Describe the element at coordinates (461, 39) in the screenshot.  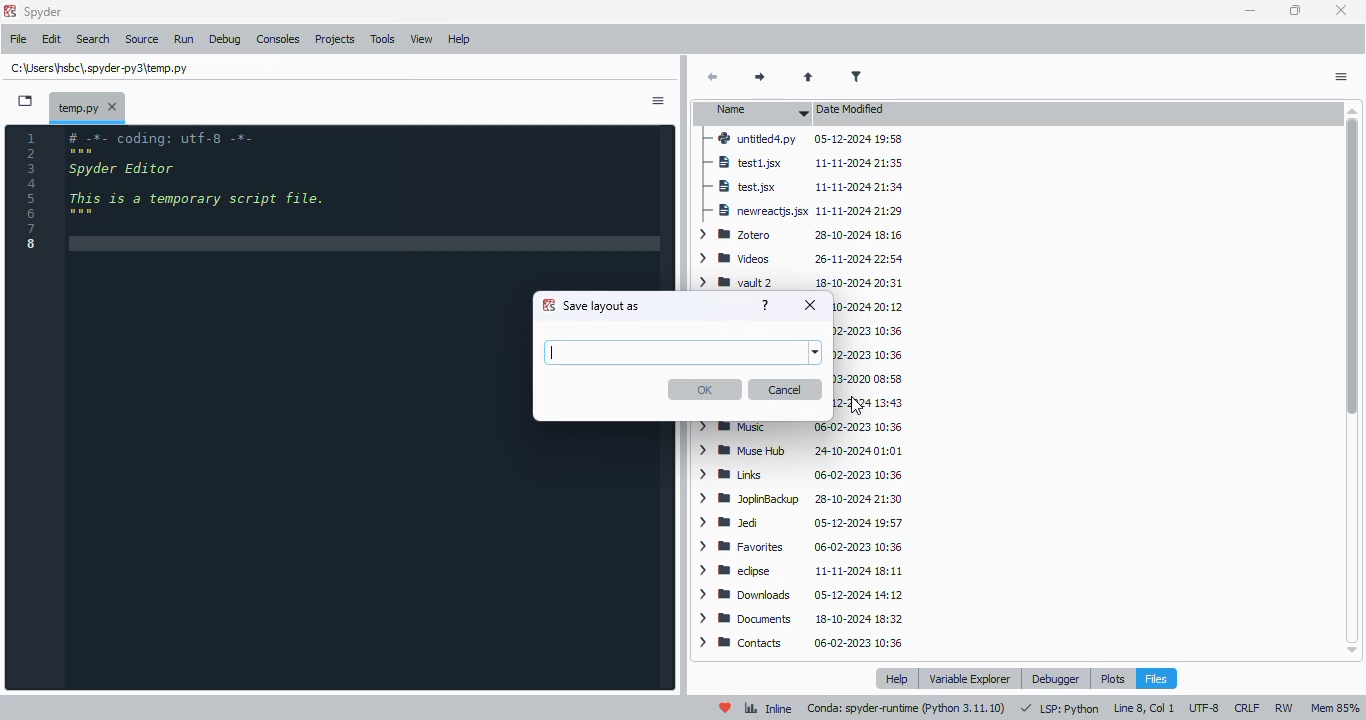
I see `help` at that location.